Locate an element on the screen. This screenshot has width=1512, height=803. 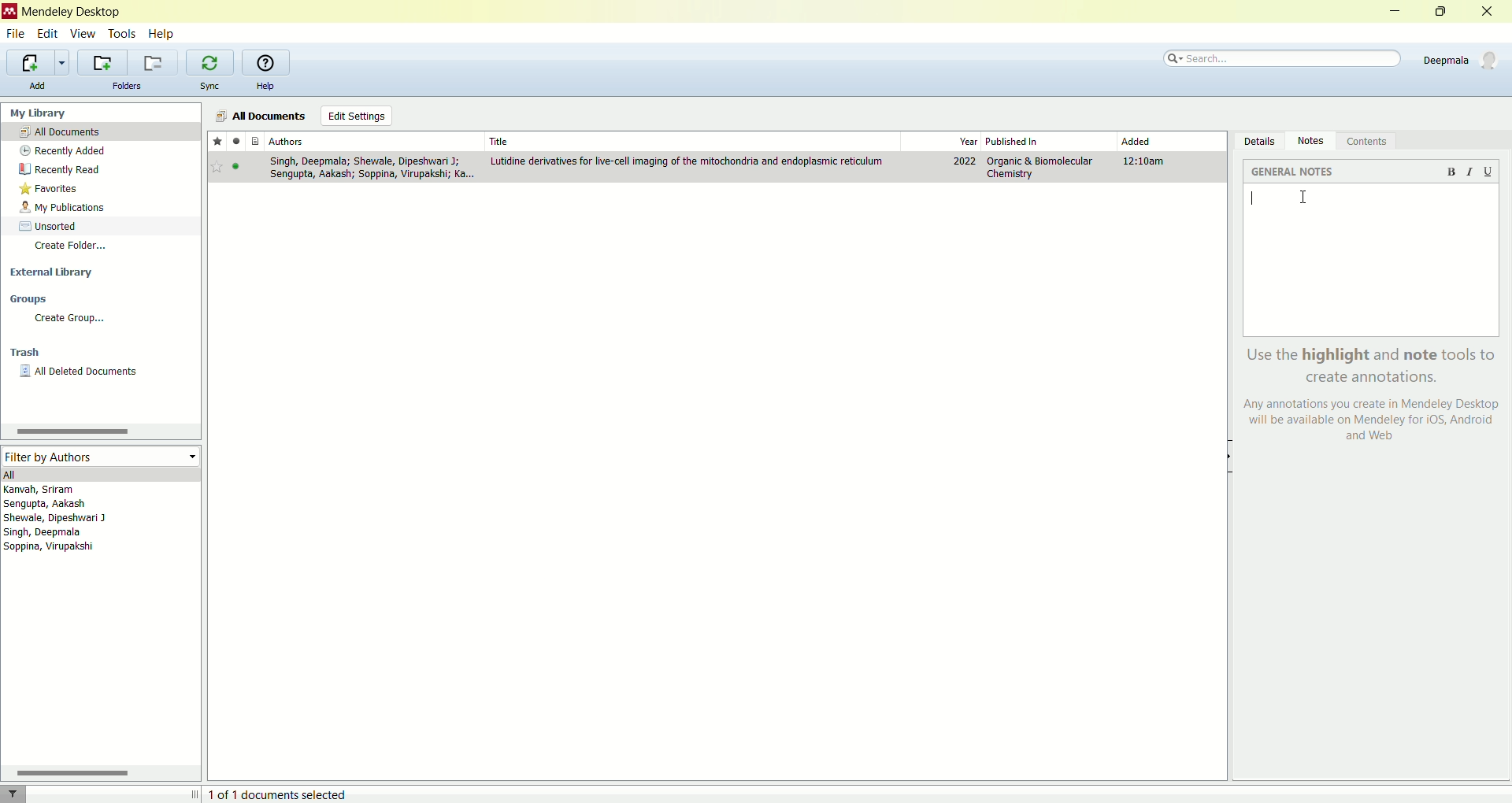
My Library is located at coordinates (102, 112).